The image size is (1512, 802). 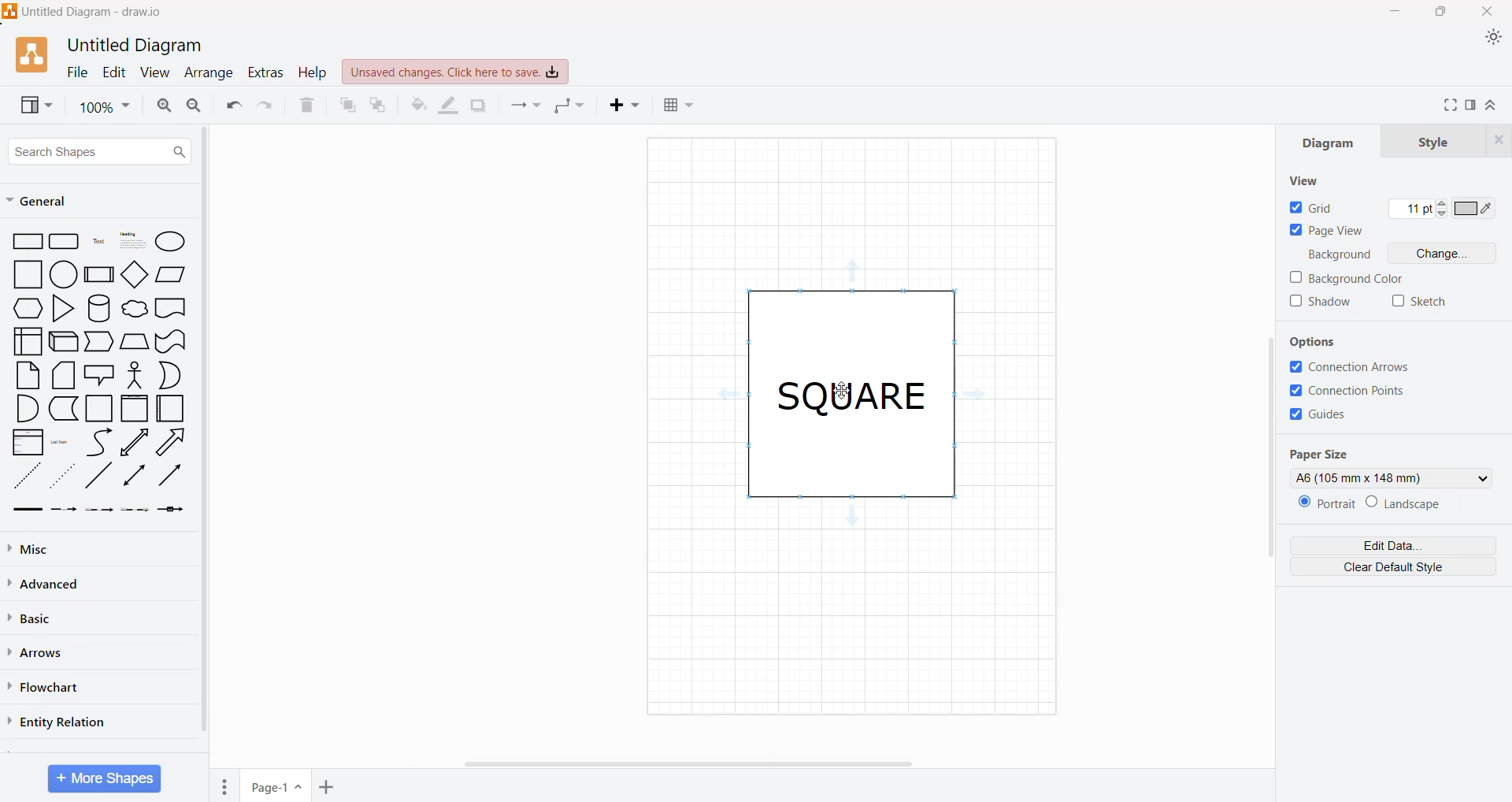 What do you see at coordinates (348, 106) in the screenshot?
I see `To Front` at bounding box center [348, 106].